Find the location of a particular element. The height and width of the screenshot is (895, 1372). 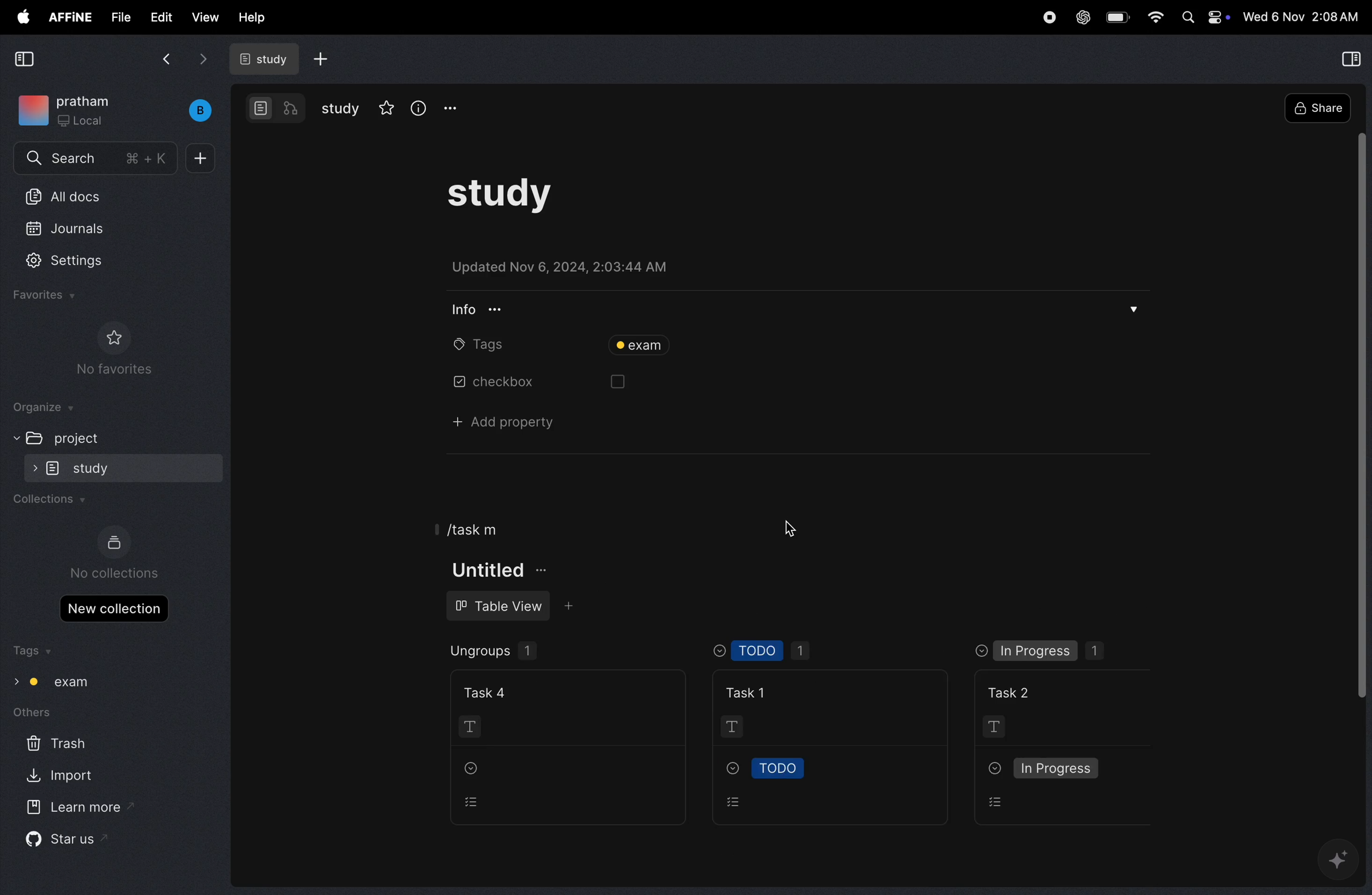

back is located at coordinates (164, 61).